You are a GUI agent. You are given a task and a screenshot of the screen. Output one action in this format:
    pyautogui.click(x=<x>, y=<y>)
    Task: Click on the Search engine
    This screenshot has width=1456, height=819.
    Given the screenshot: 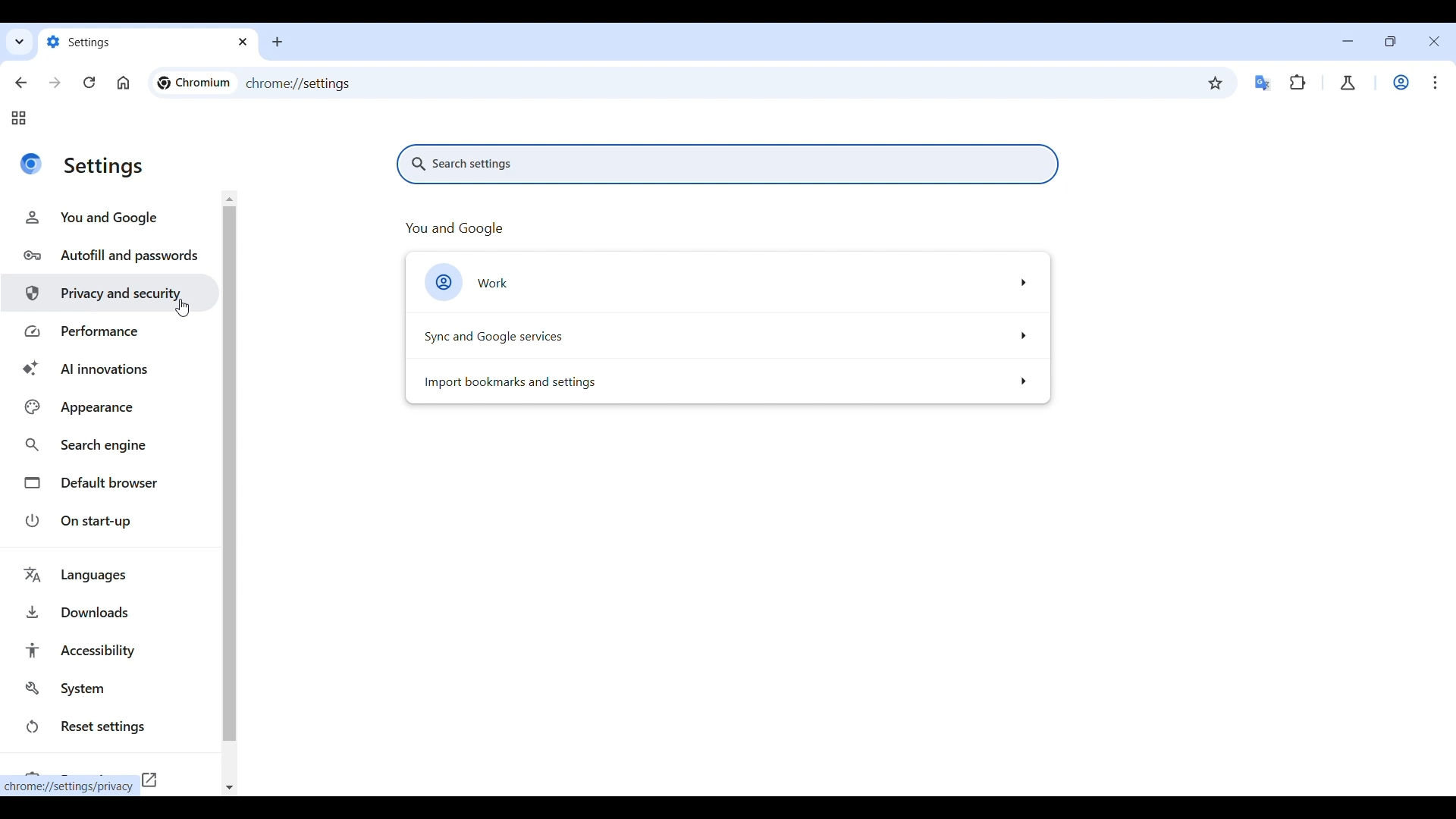 What is the action you would take?
    pyautogui.click(x=109, y=446)
    